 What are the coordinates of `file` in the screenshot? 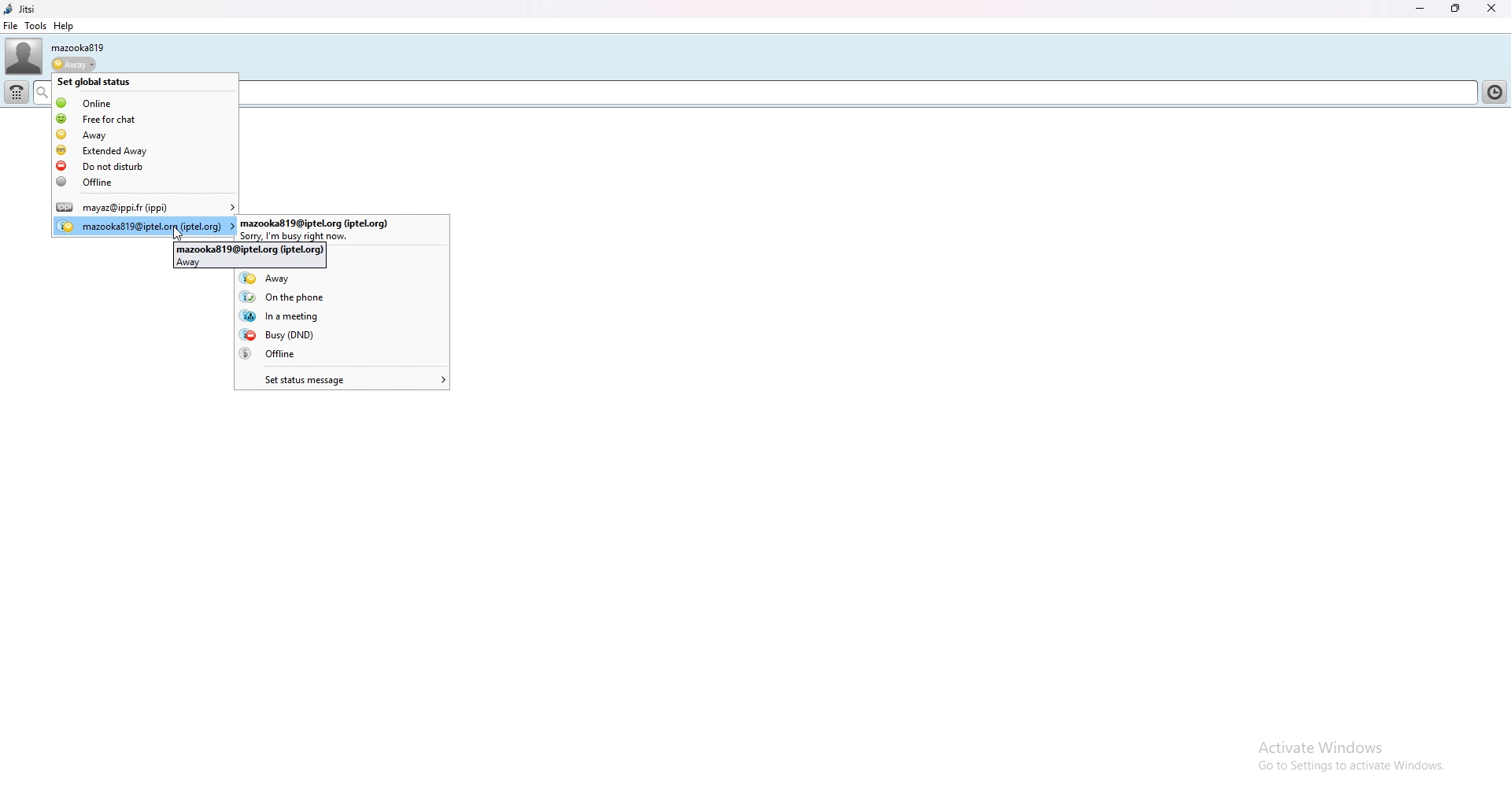 It's located at (10, 26).